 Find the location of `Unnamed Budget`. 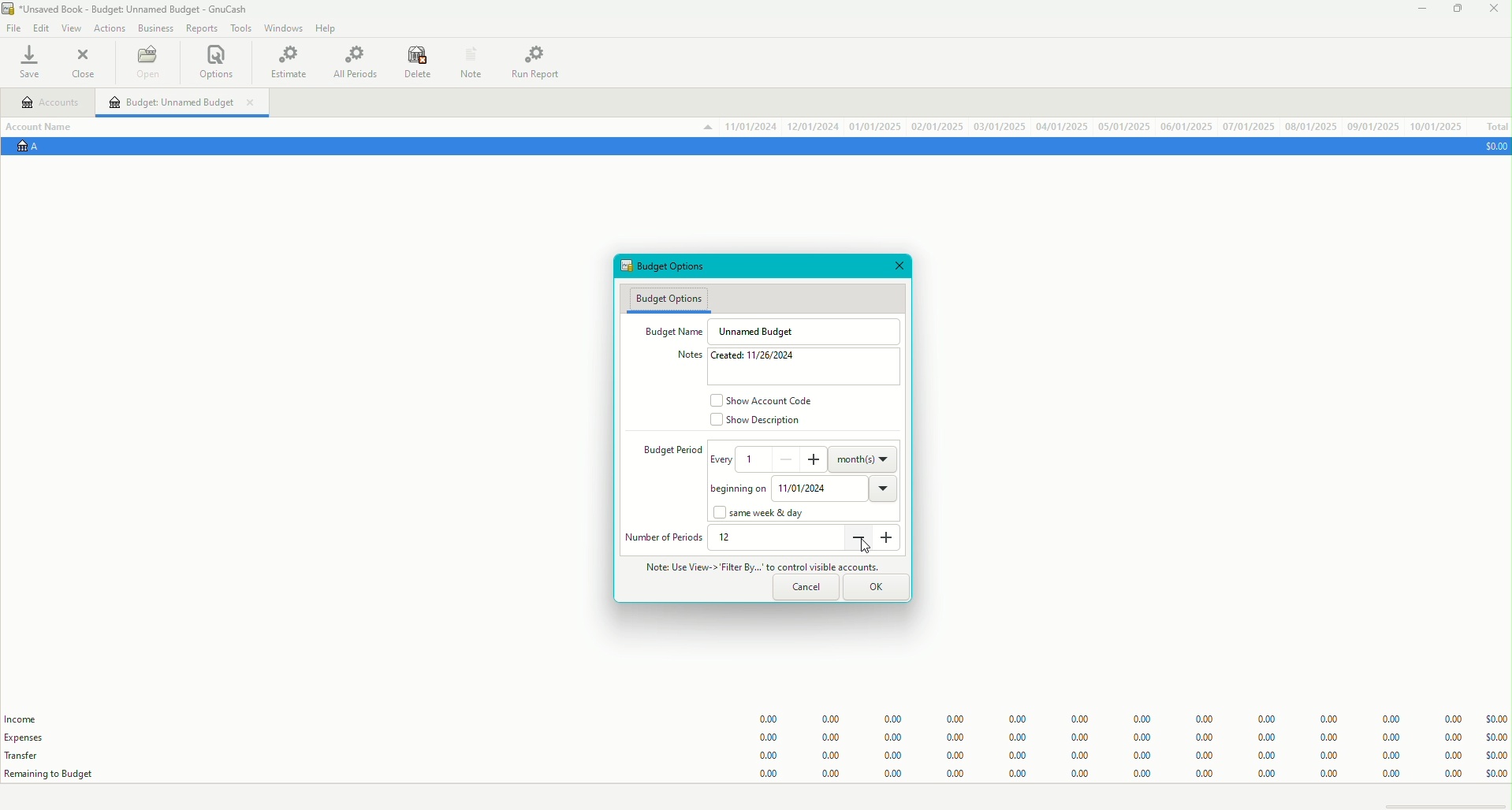

Unnamed Budget is located at coordinates (762, 331).